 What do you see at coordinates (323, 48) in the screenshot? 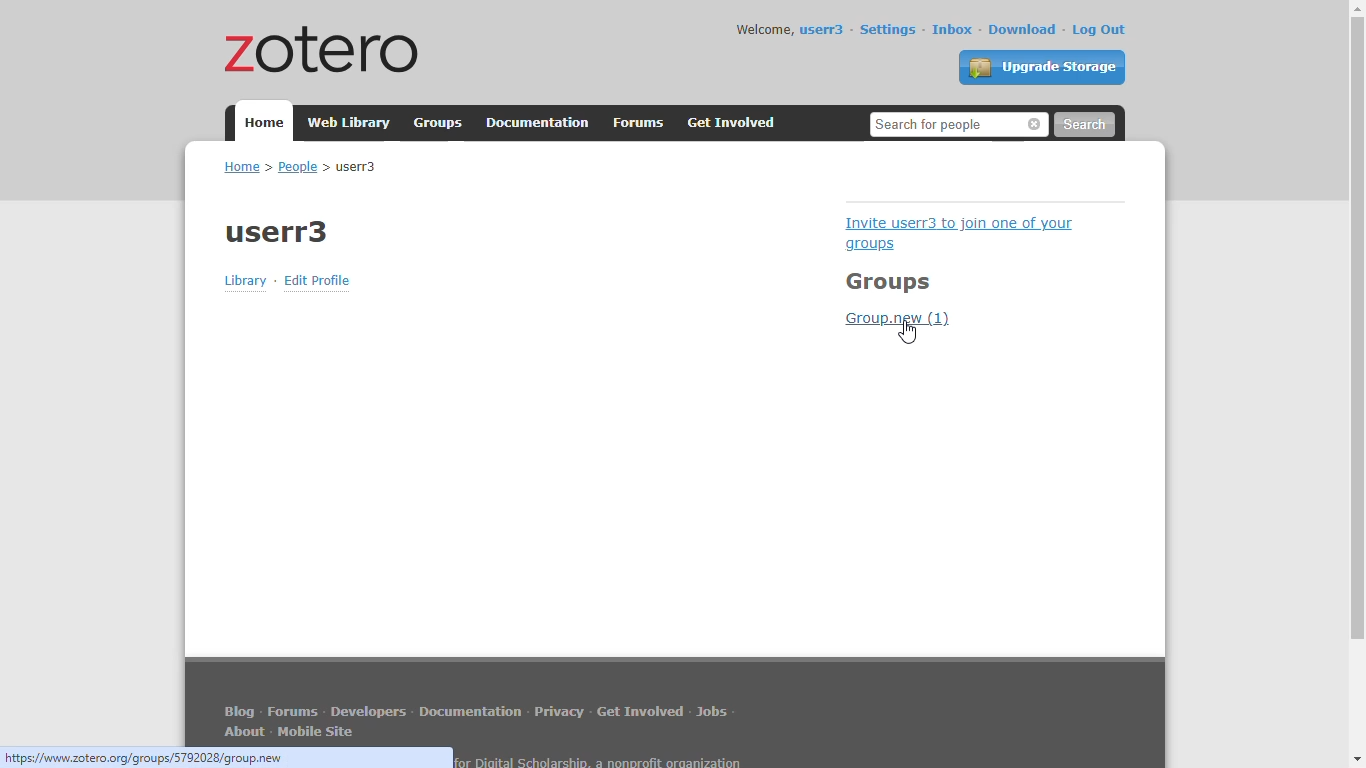
I see `zotero` at bounding box center [323, 48].